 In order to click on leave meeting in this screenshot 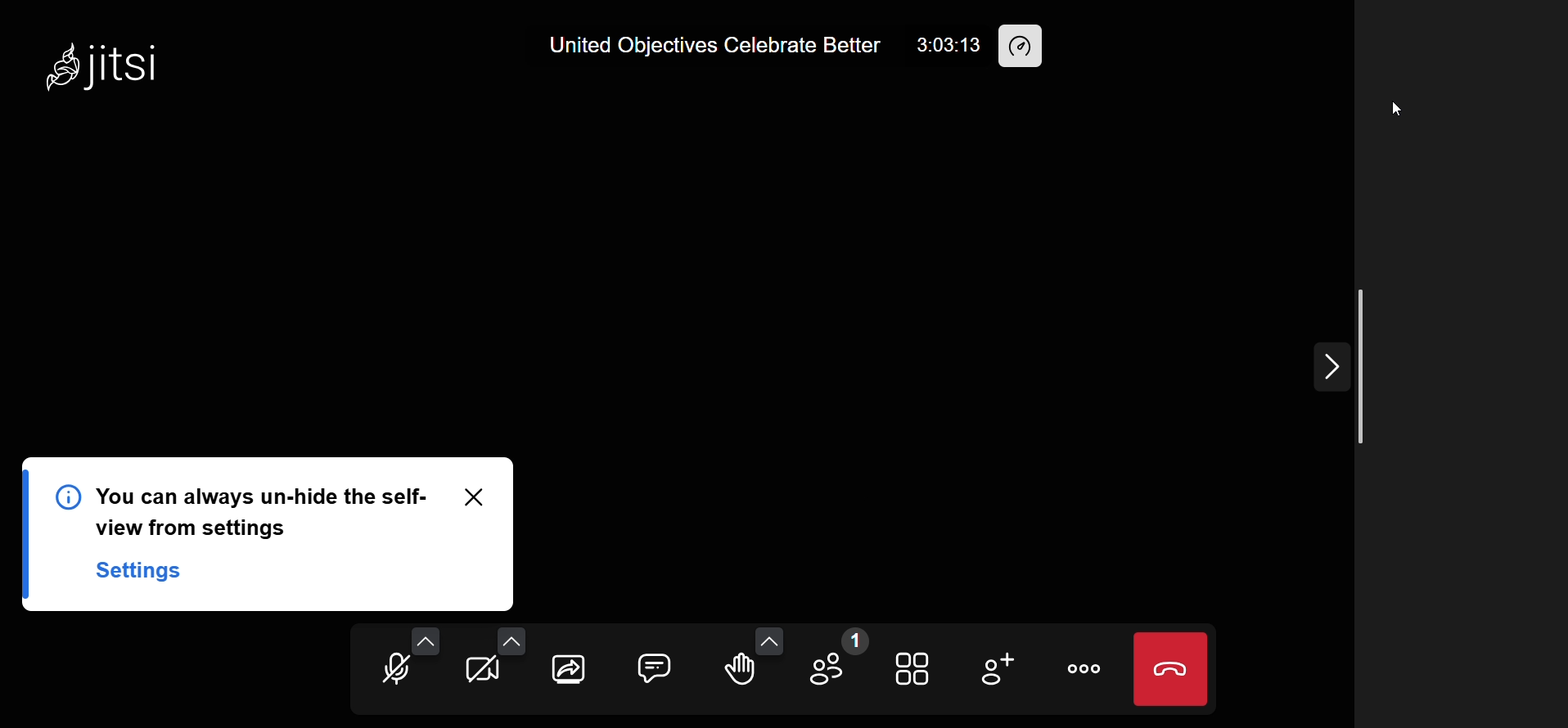, I will do `click(1172, 671)`.